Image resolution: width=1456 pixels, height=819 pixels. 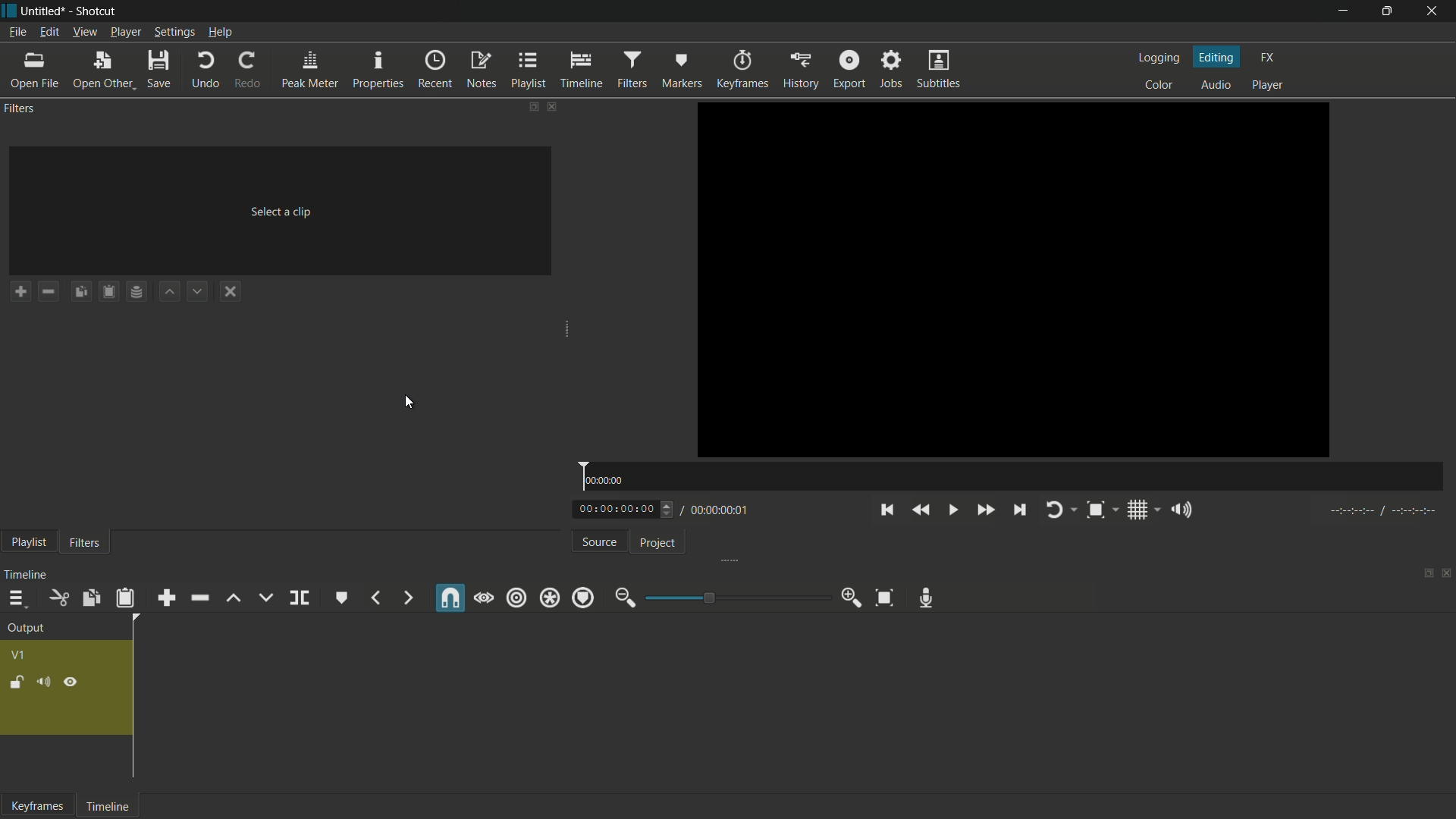 I want to click on Unlock, so click(x=18, y=683).